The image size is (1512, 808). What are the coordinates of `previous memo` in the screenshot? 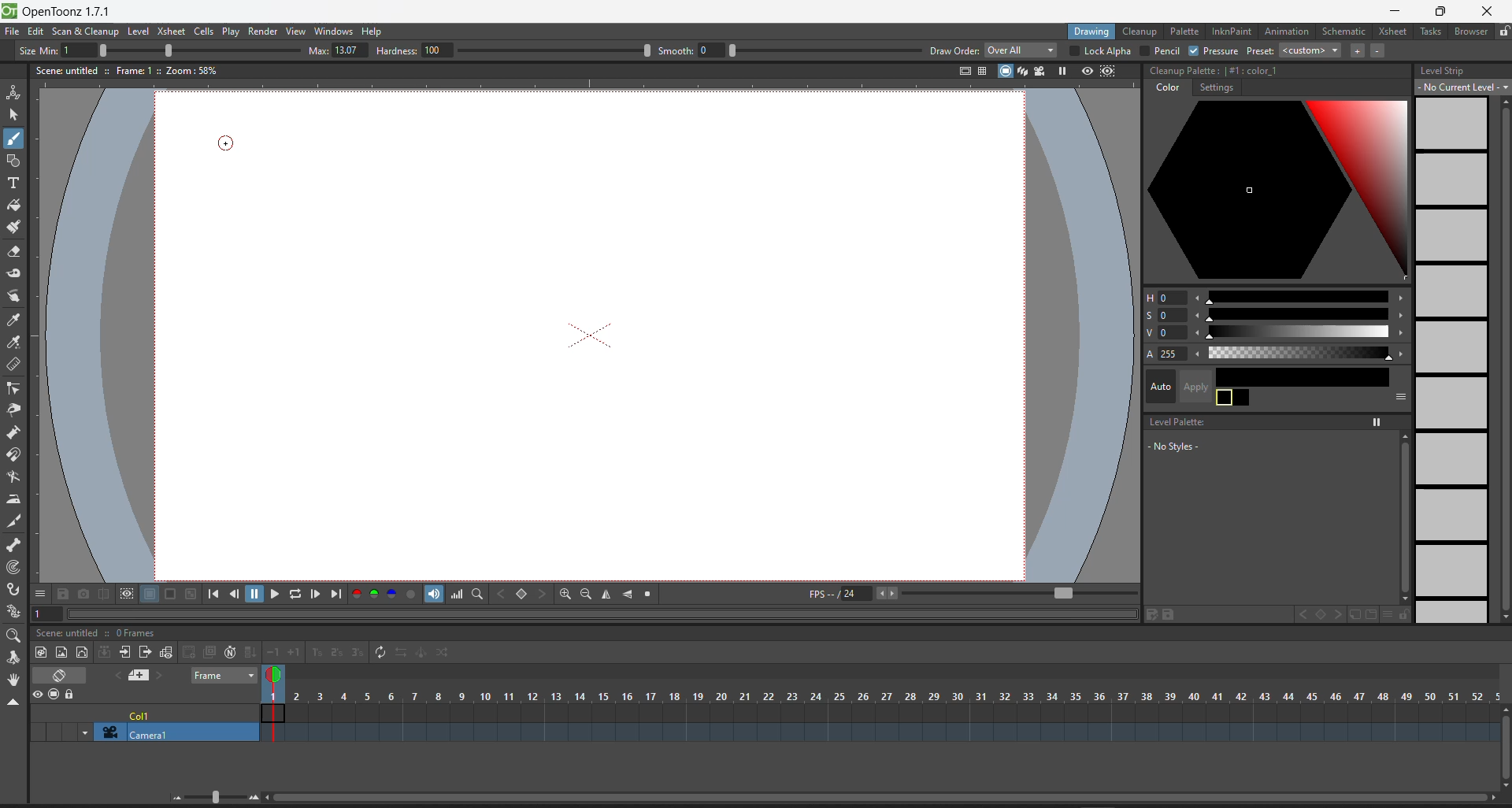 It's located at (114, 676).